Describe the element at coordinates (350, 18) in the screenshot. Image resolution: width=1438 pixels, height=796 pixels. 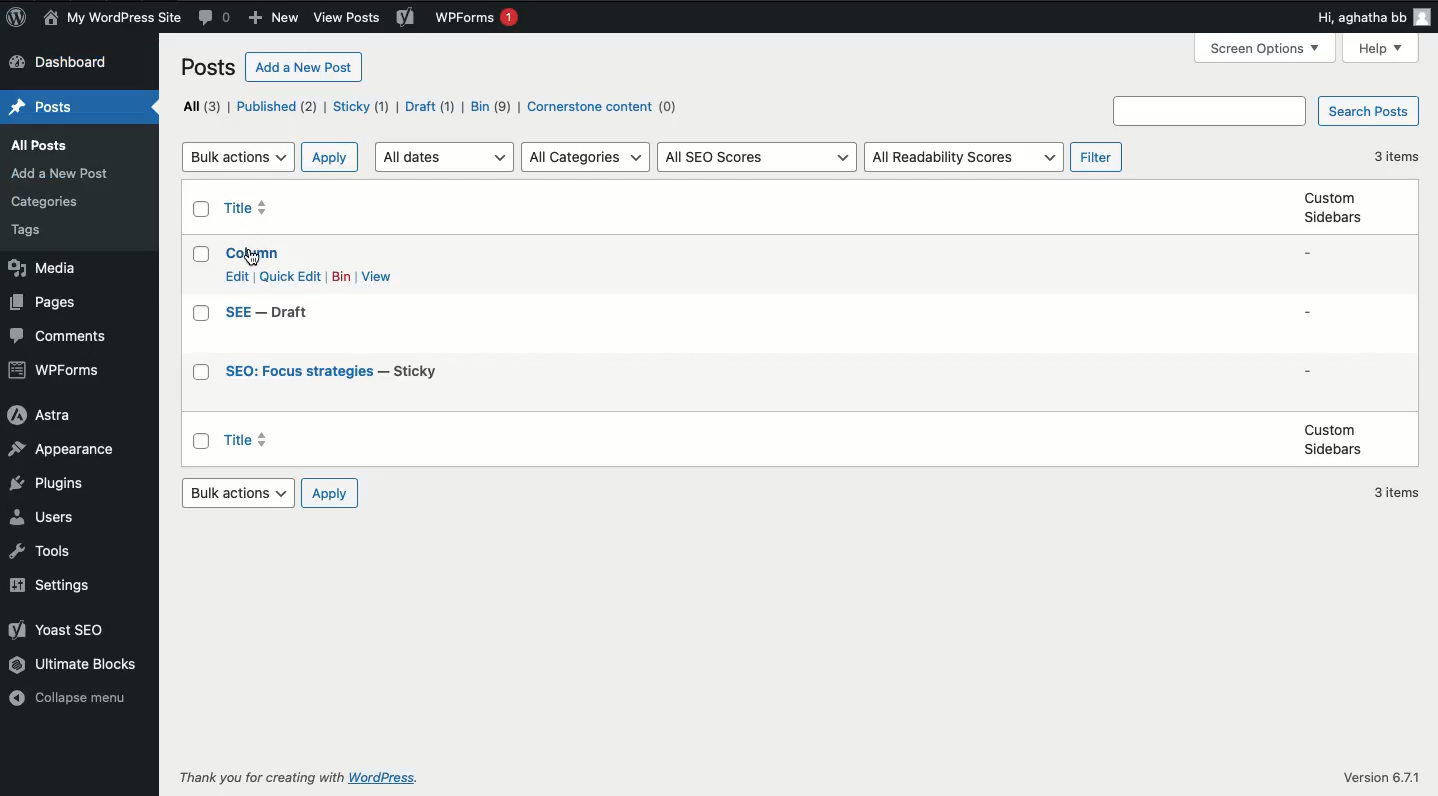
I see `` at that location.